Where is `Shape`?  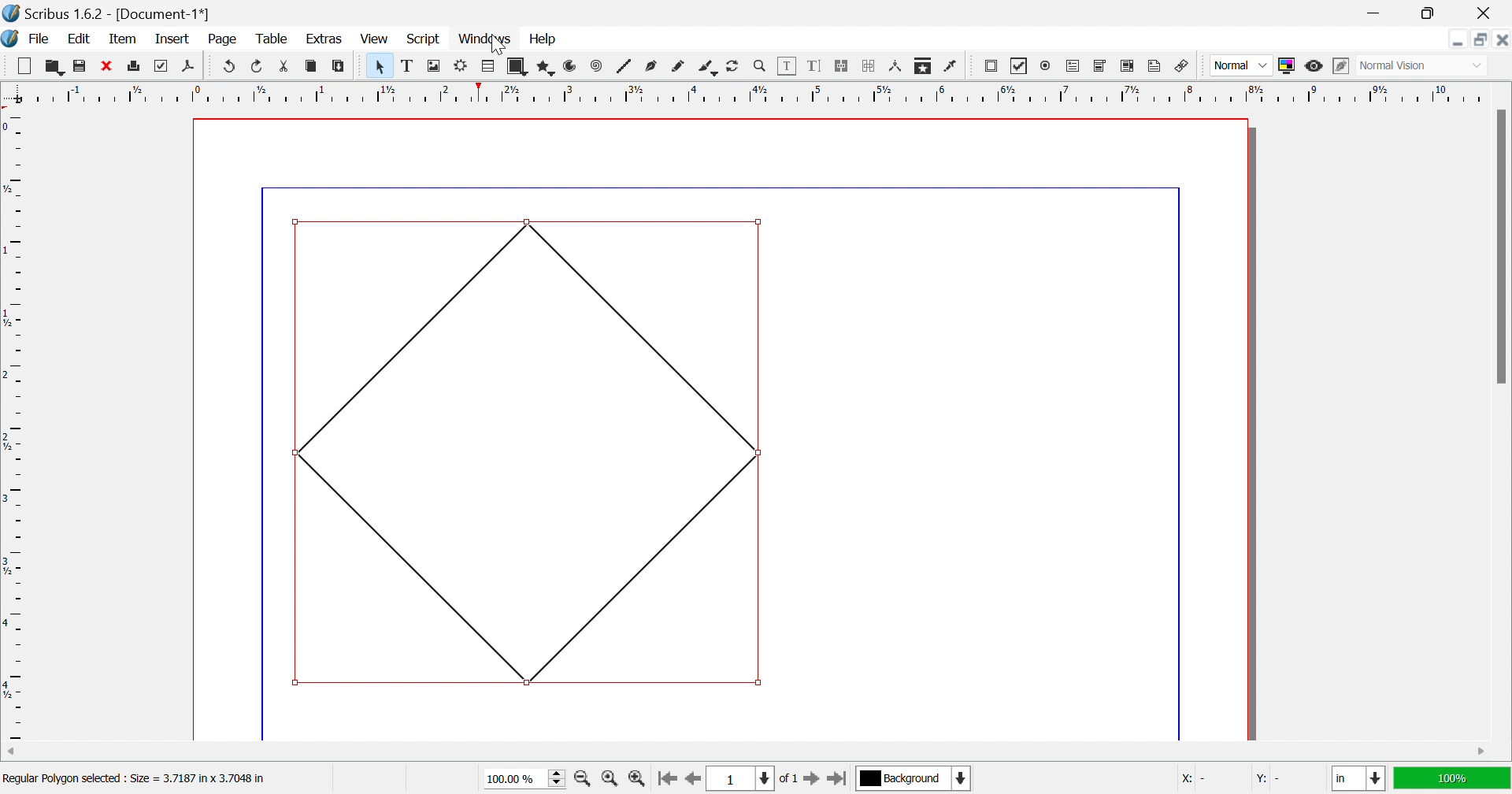
Shape is located at coordinates (520, 67).